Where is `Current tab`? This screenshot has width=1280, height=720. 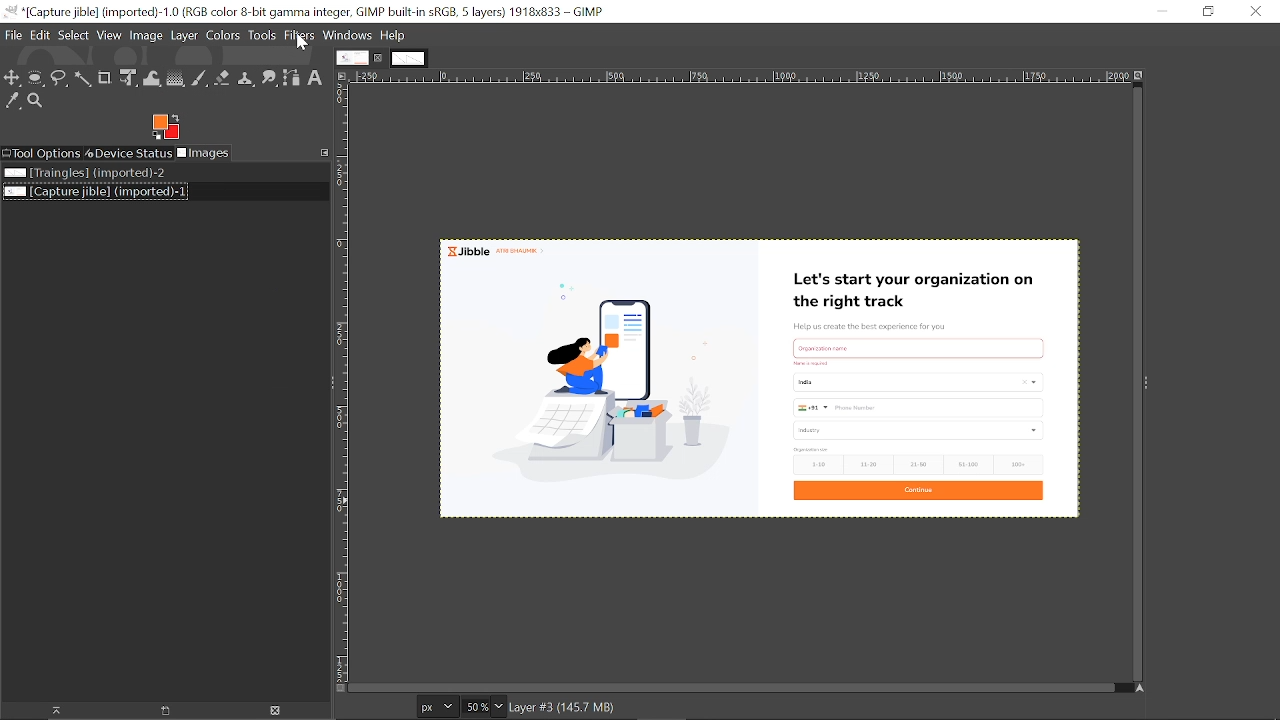 Current tab is located at coordinates (353, 57).